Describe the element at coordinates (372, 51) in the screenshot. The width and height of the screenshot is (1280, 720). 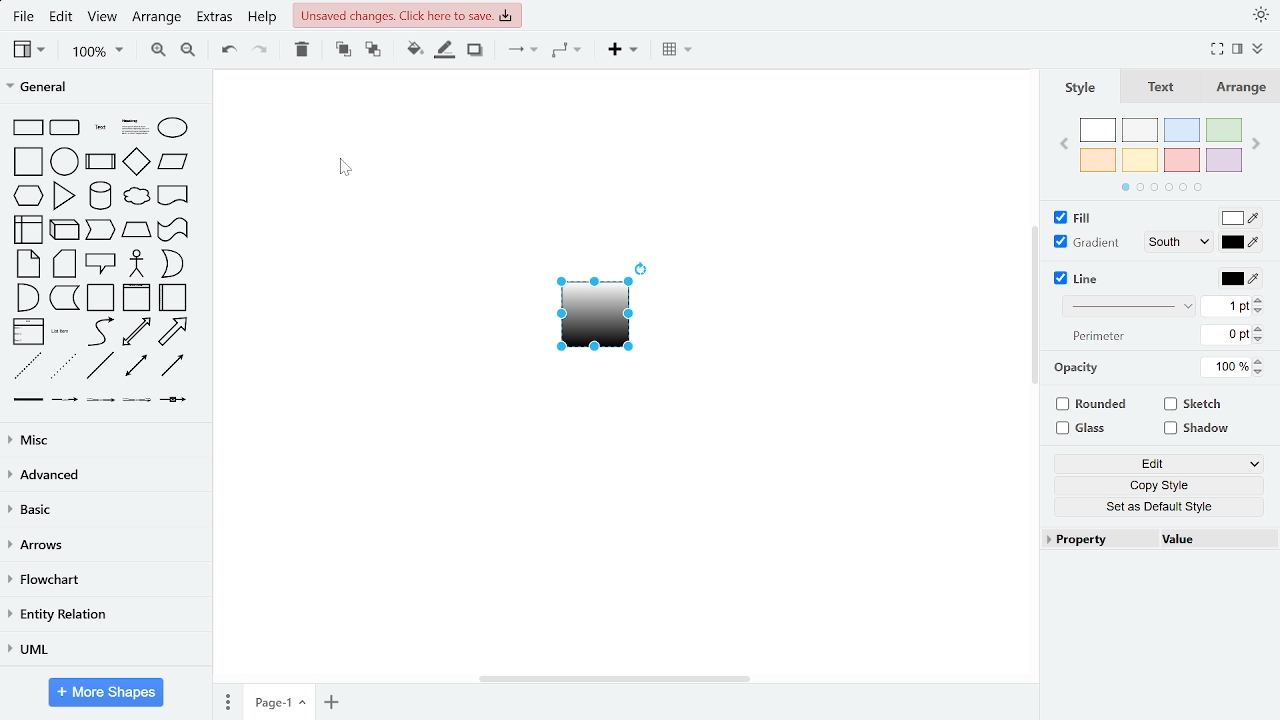
I see `to back` at that location.